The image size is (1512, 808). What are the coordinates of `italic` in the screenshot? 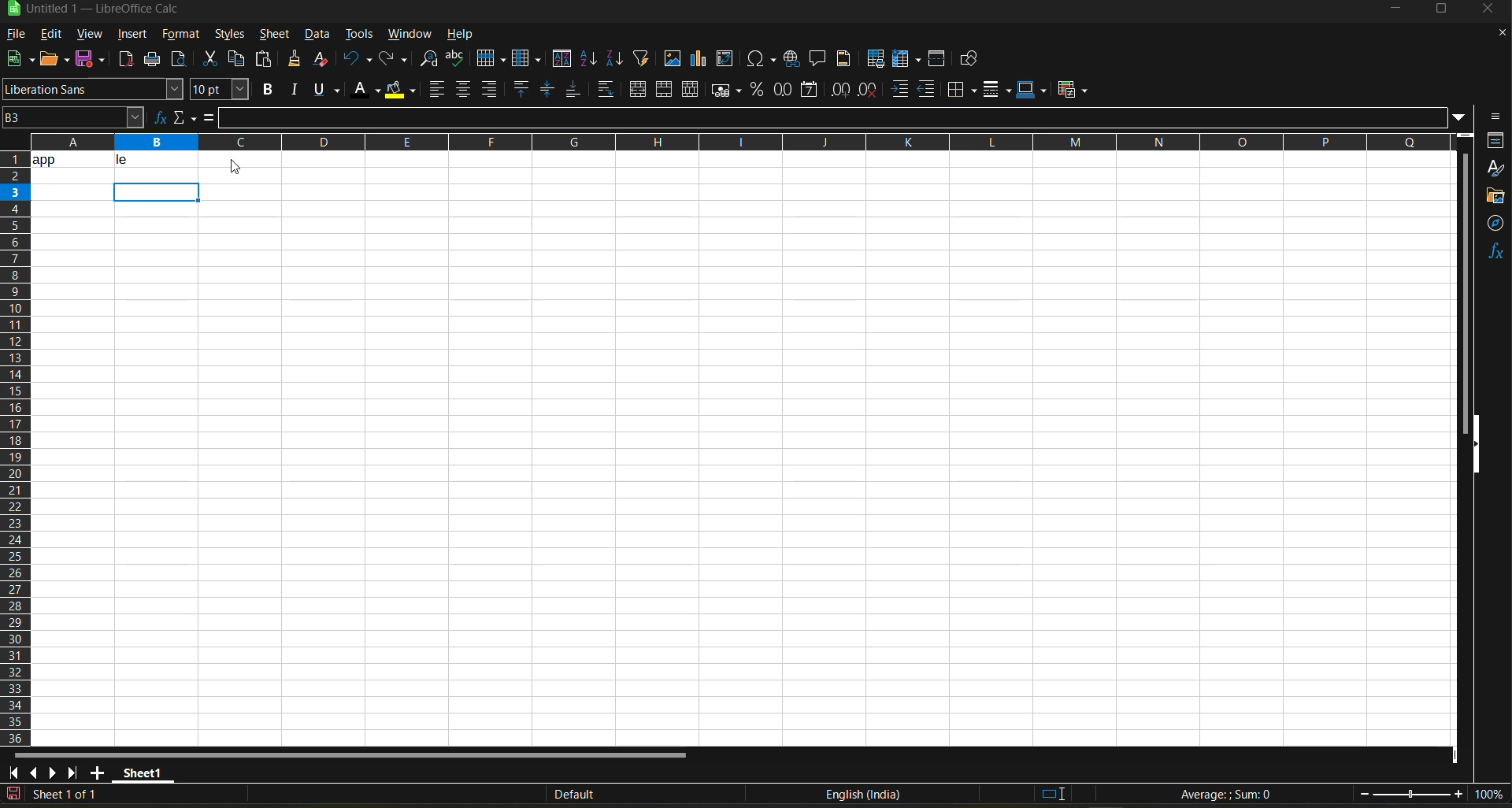 It's located at (295, 90).